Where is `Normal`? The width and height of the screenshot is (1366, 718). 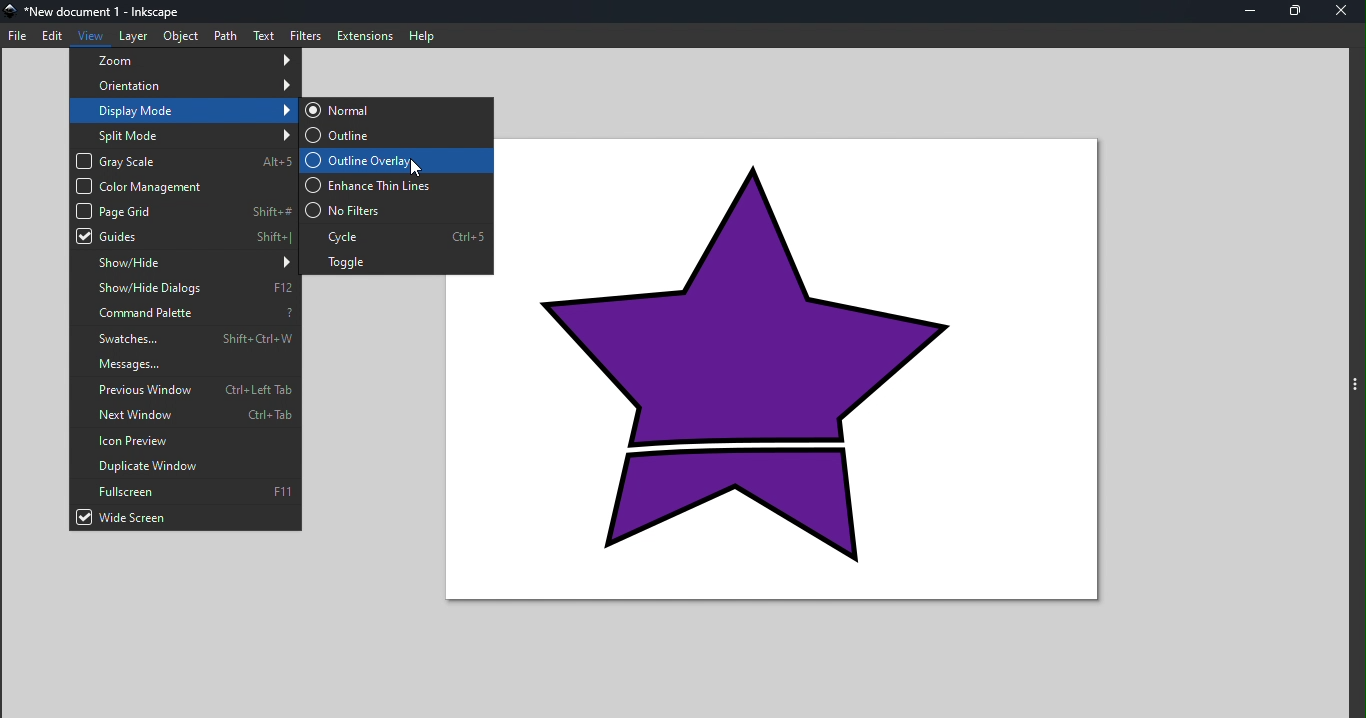 Normal is located at coordinates (395, 111).